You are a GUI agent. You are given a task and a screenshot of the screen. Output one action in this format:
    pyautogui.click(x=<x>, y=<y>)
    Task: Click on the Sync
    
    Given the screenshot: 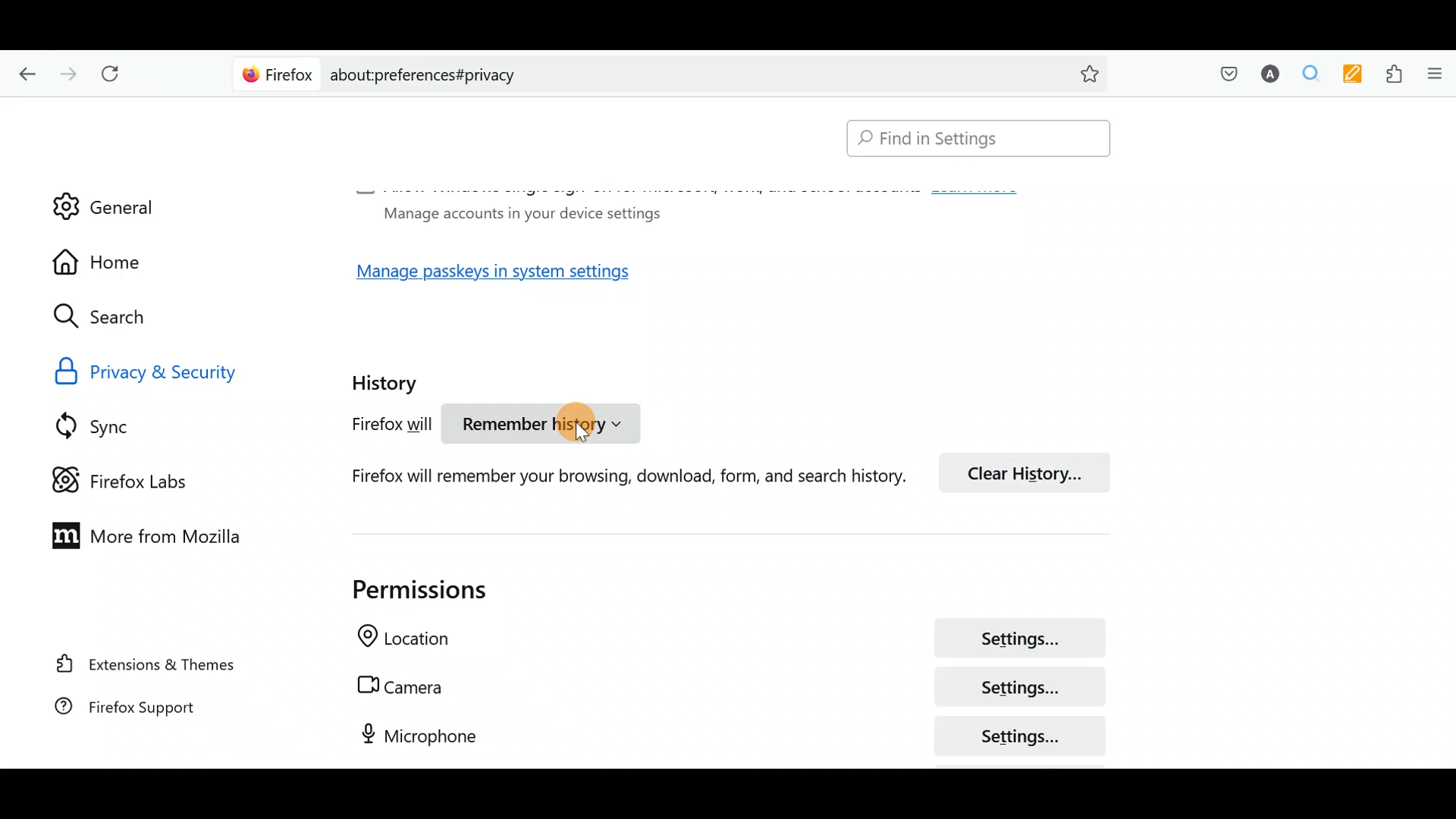 What is the action you would take?
    pyautogui.click(x=113, y=425)
    